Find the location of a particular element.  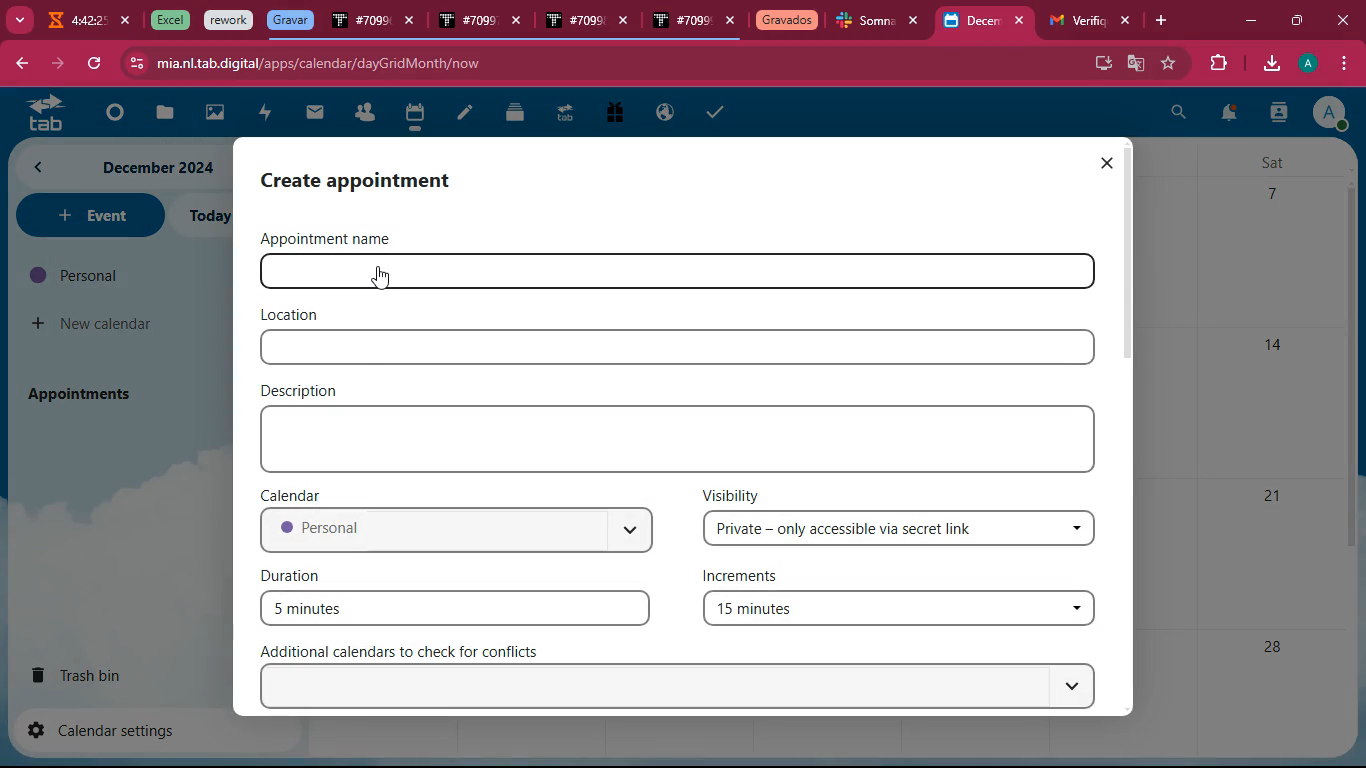

calendar is located at coordinates (414, 116).